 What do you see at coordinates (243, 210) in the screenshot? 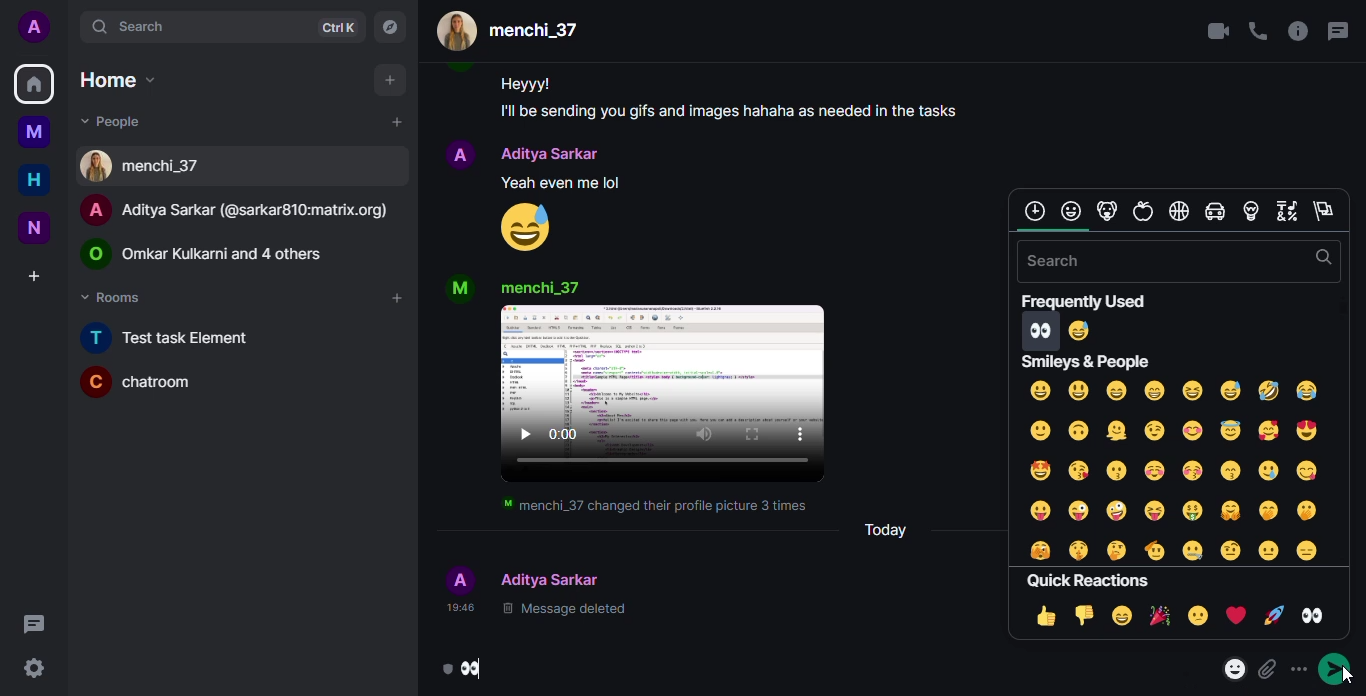
I see `people` at bounding box center [243, 210].